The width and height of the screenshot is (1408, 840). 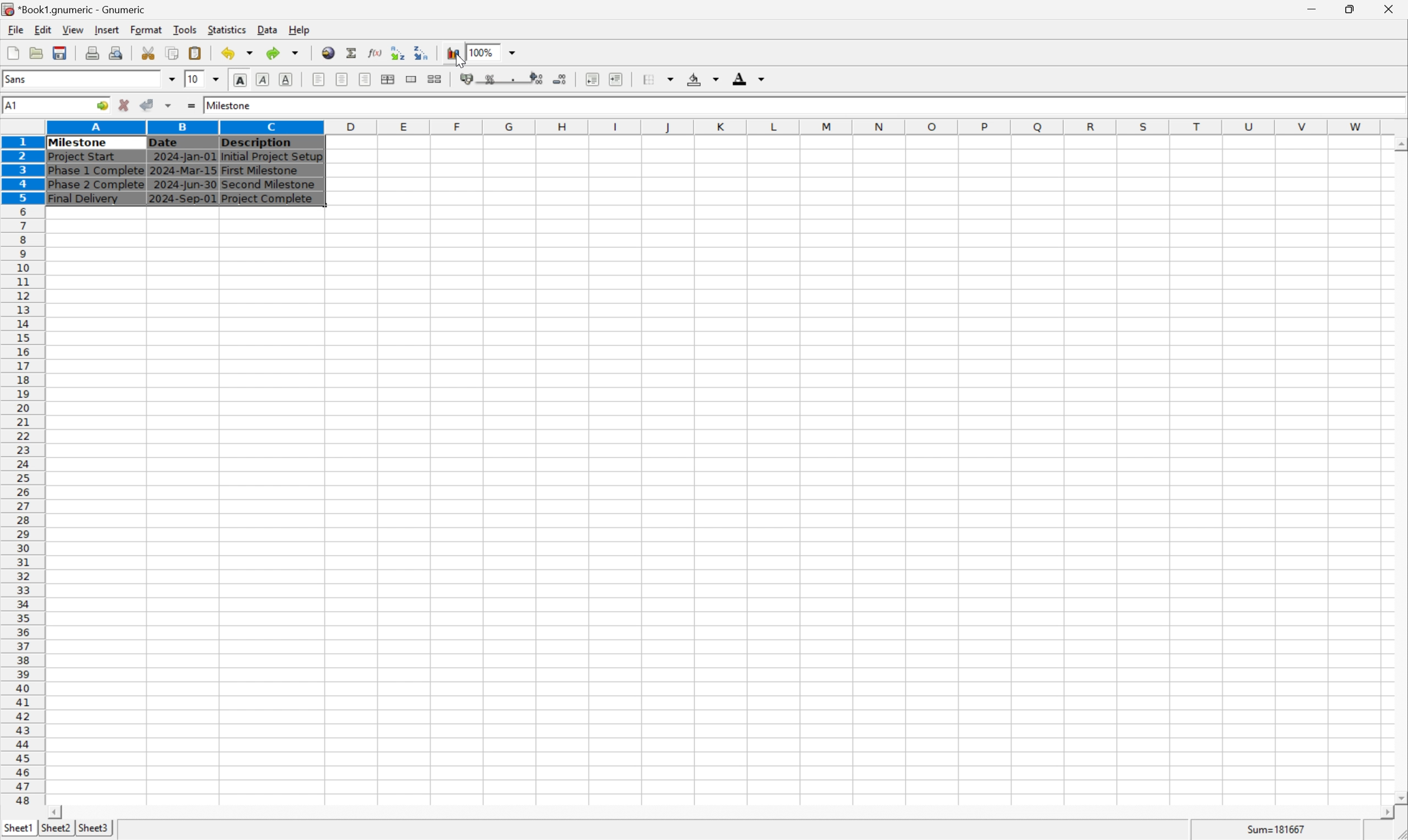 What do you see at coordinates (285, 52) in the screenshot?
I see `redo` at bounding box center [285, 52].